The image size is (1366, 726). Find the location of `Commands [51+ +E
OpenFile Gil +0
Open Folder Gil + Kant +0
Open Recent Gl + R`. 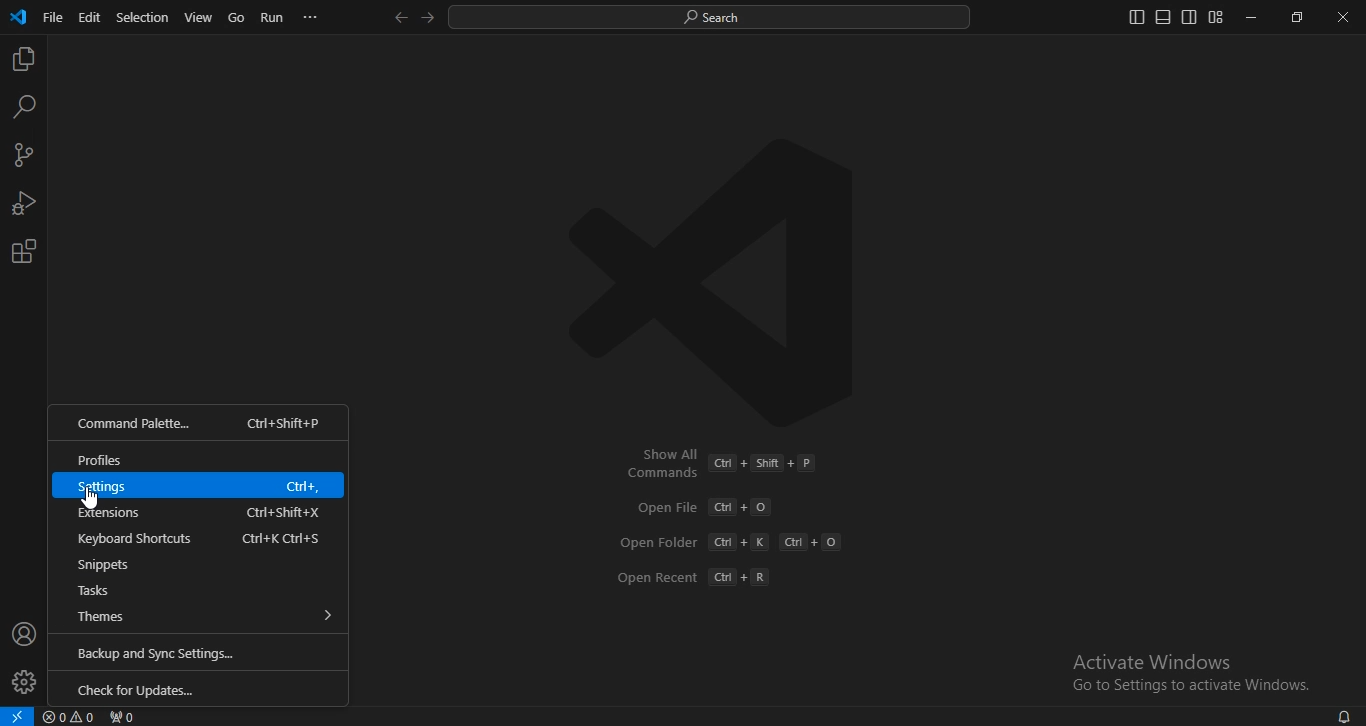

Commands [51+ +E
OpenFile Gil +0
Open Folder Gil + Kant +0
Open Recent Gl + R is located at coordinates (730, 519).